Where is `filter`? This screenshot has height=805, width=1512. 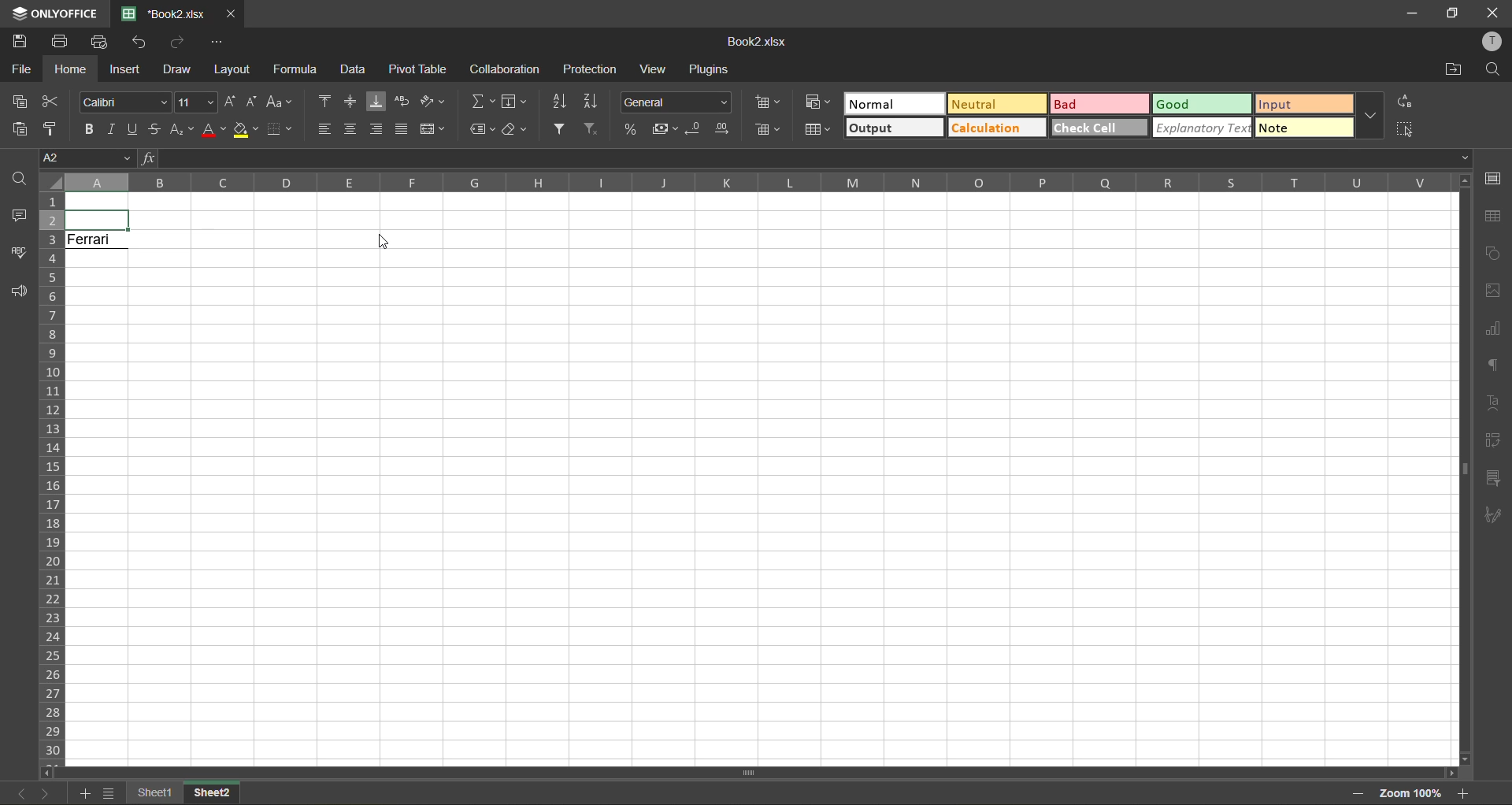 filter is located at coordinates (563, 128).